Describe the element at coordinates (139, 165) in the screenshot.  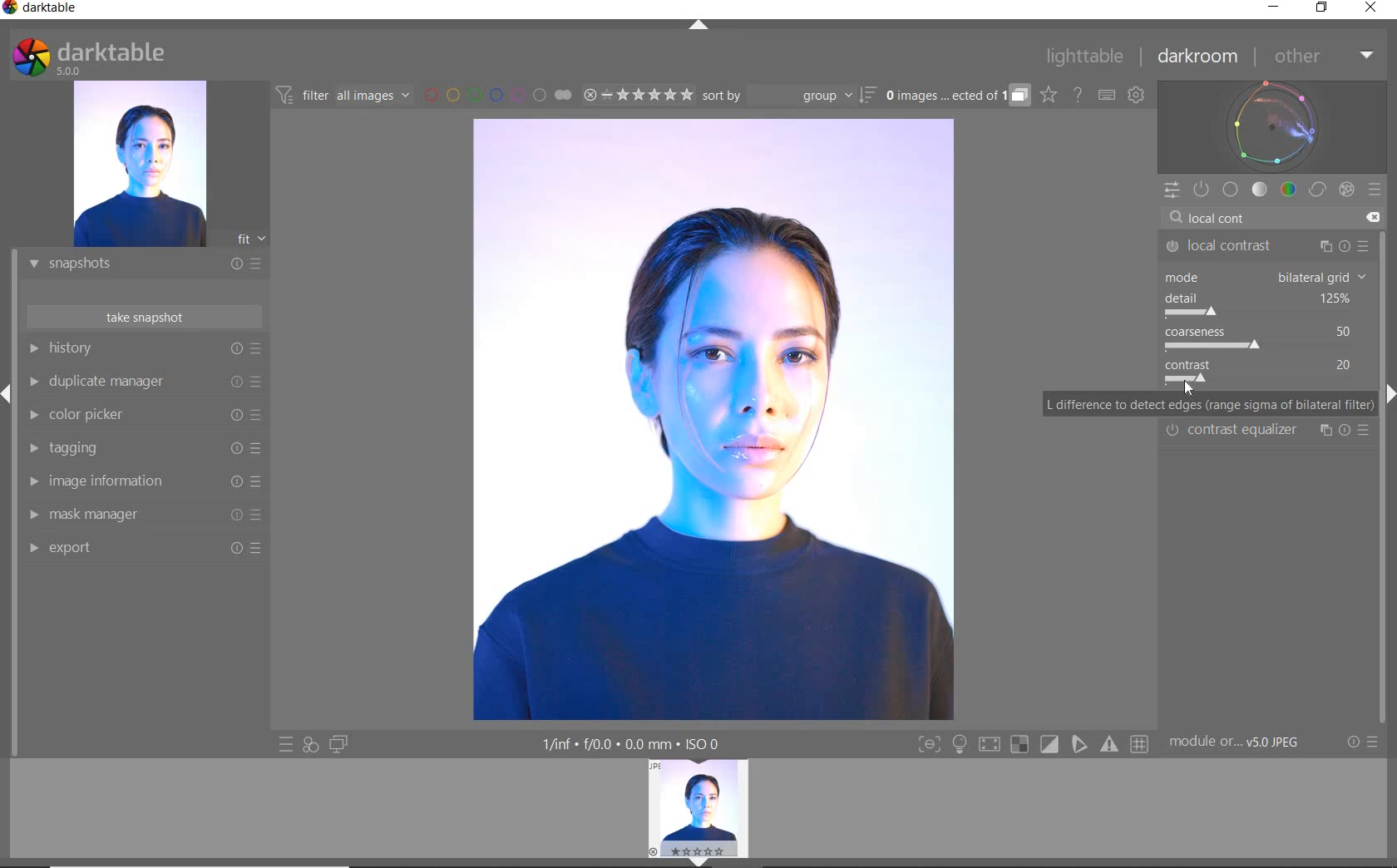
I see `IMAGE PREVIEW` at that location.